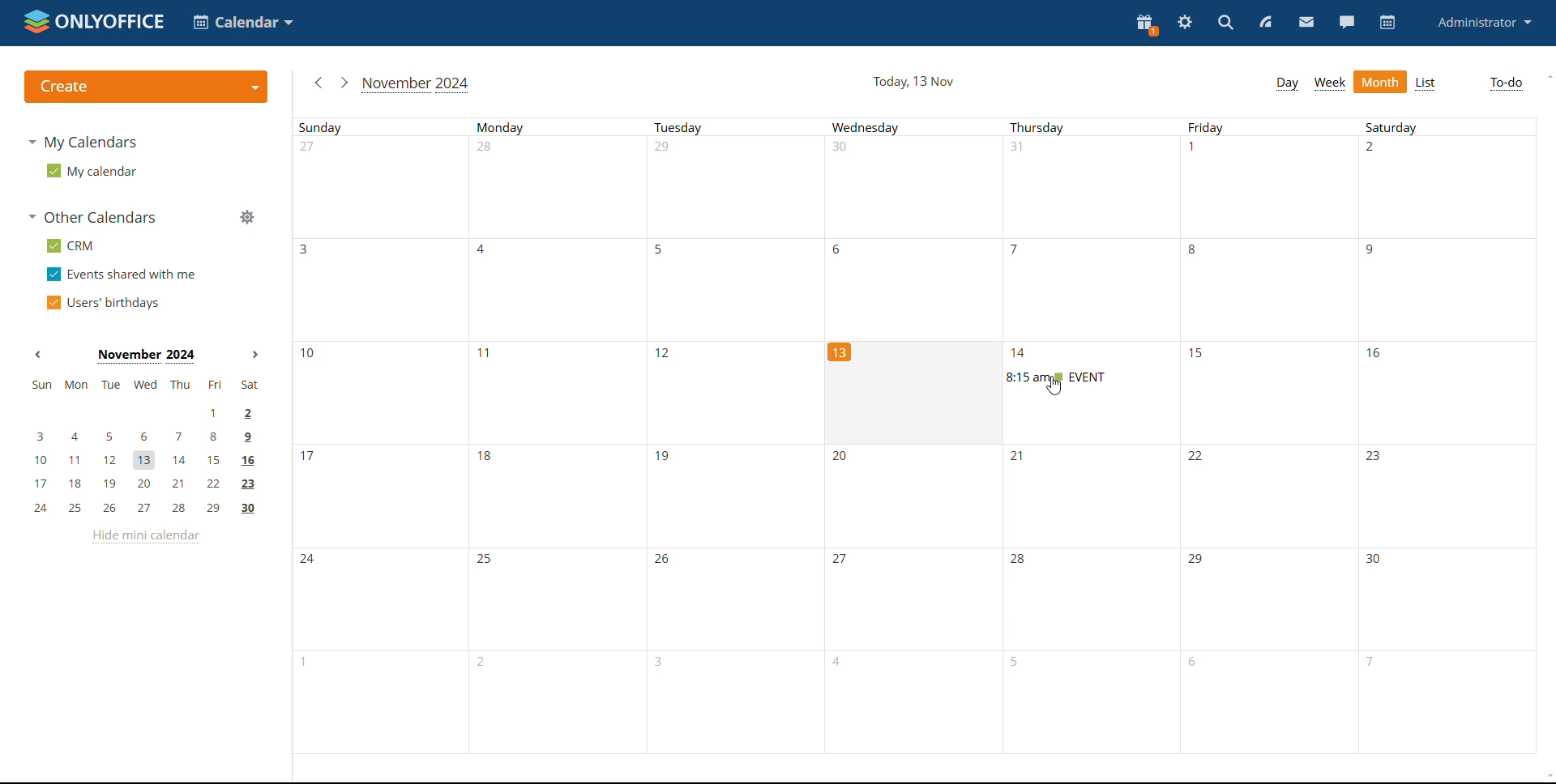 The width and height of the screenshot is (1556, 784). Describe the element at coordinates (1266, 24) in the screenshot. I see `feed` at that location.